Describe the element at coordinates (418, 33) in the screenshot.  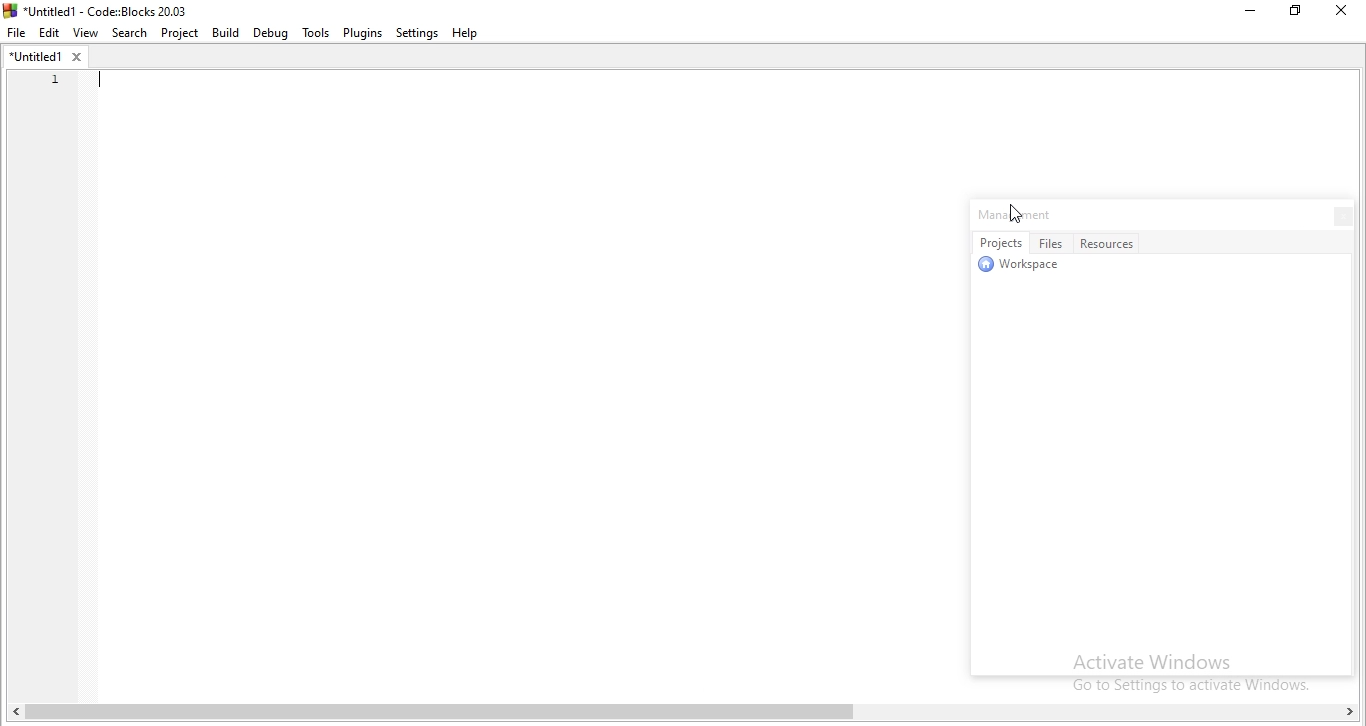
I see `Settings ` at that location.